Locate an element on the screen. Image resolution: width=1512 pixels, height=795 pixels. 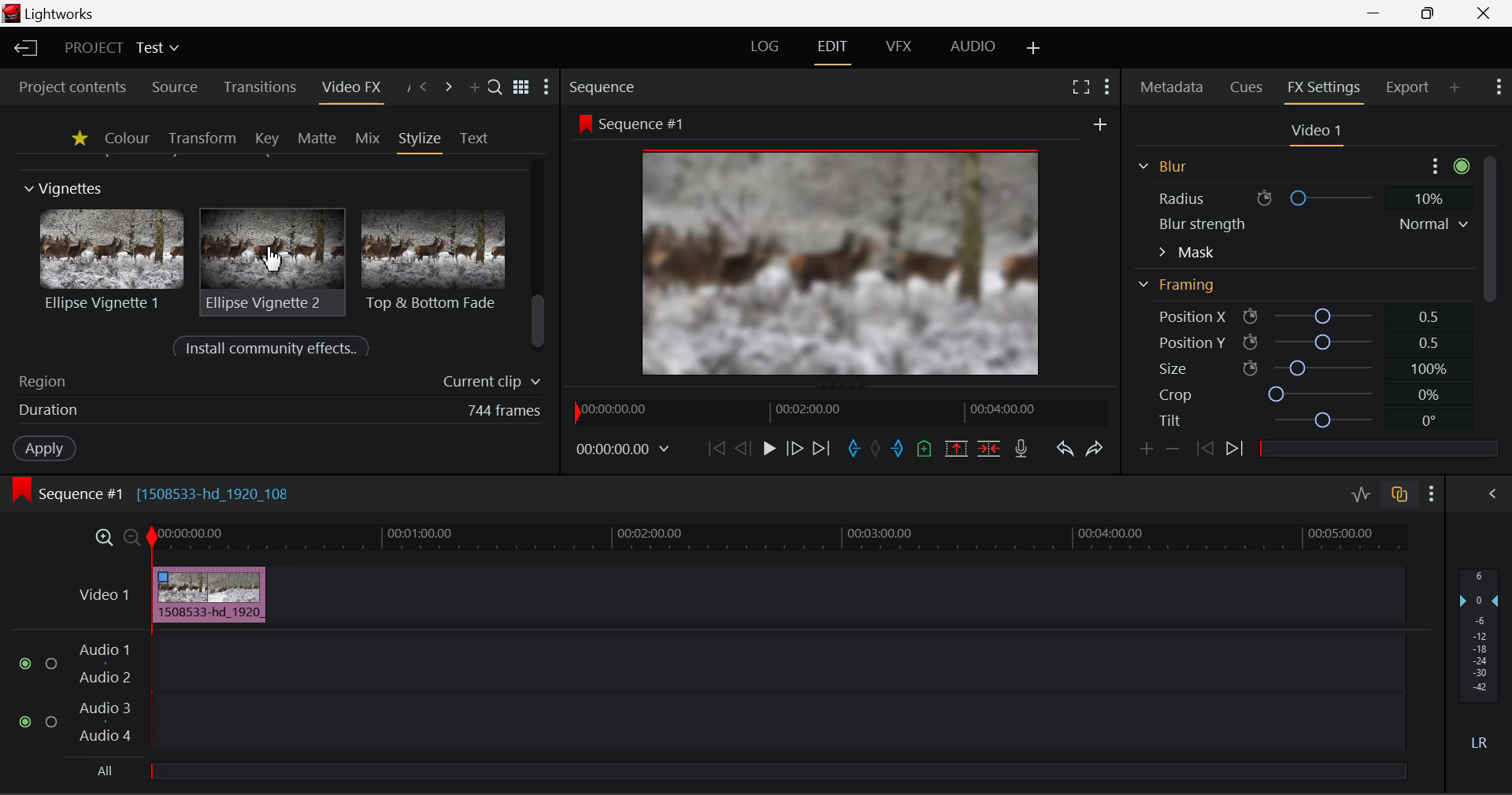
Full Screen is located at coordinates (1080, 87).